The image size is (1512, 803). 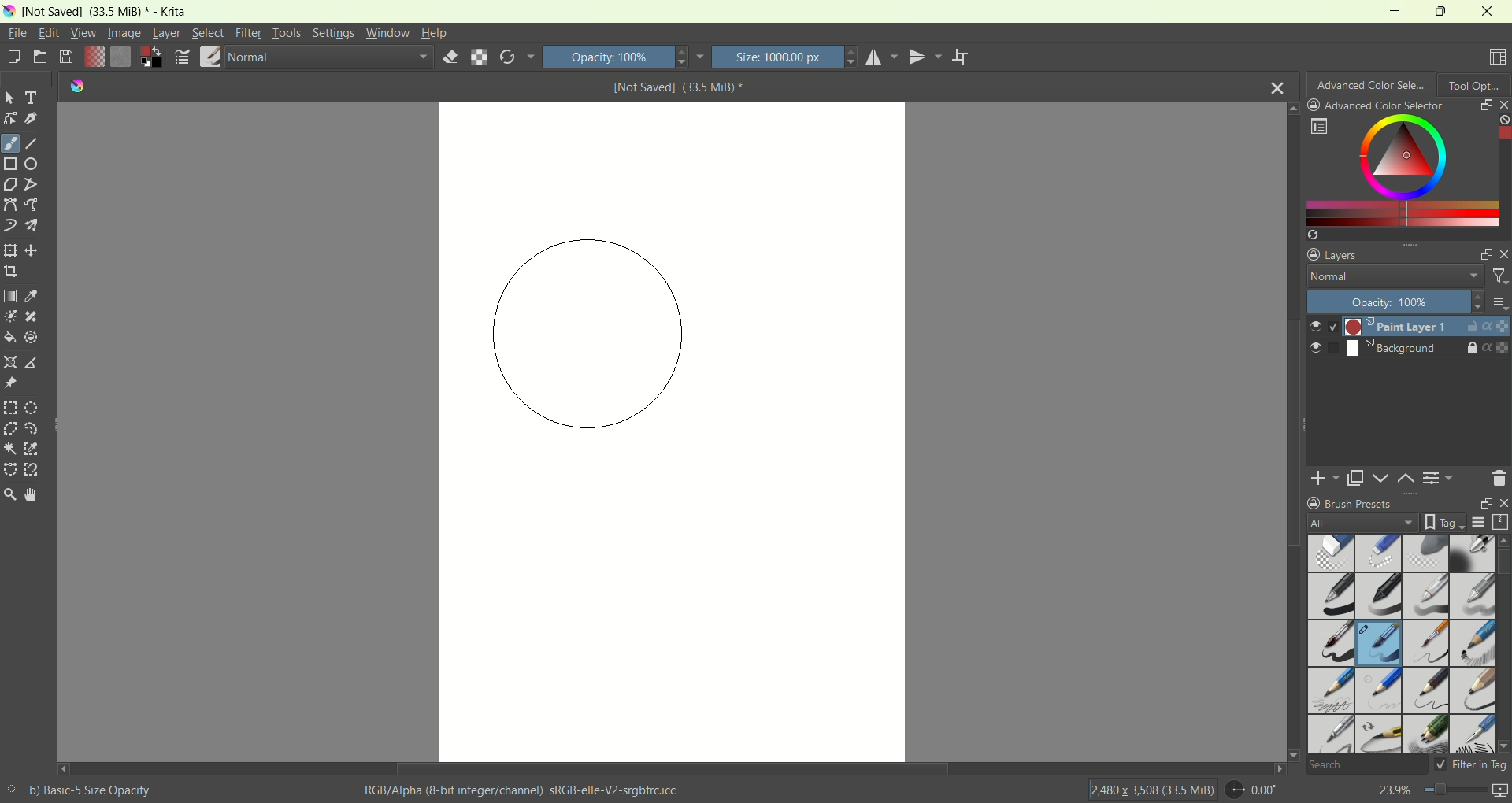 I want to click on filter, so click(x=1499, y=279).